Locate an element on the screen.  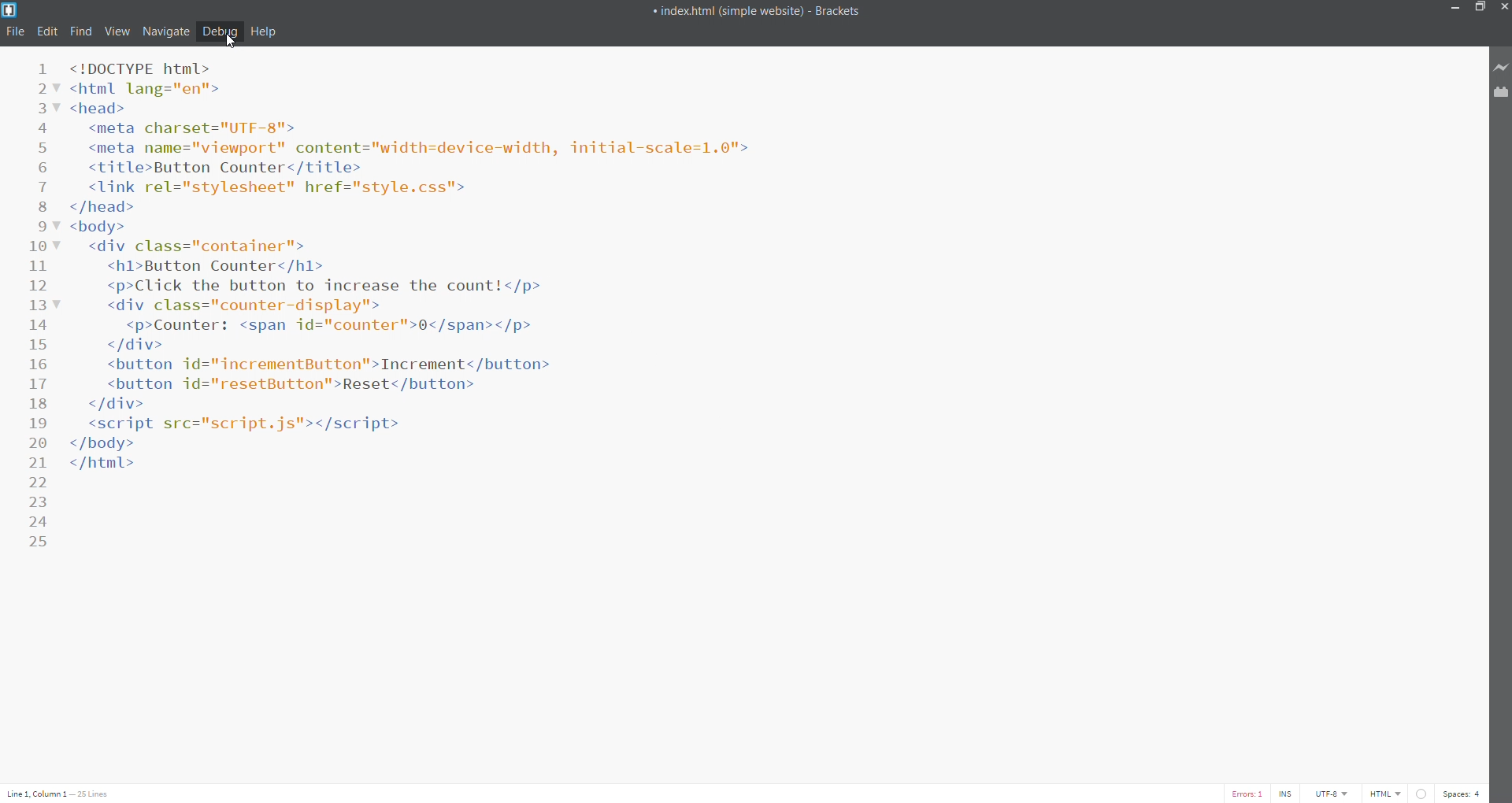
help is located at coordinates (266, 32).